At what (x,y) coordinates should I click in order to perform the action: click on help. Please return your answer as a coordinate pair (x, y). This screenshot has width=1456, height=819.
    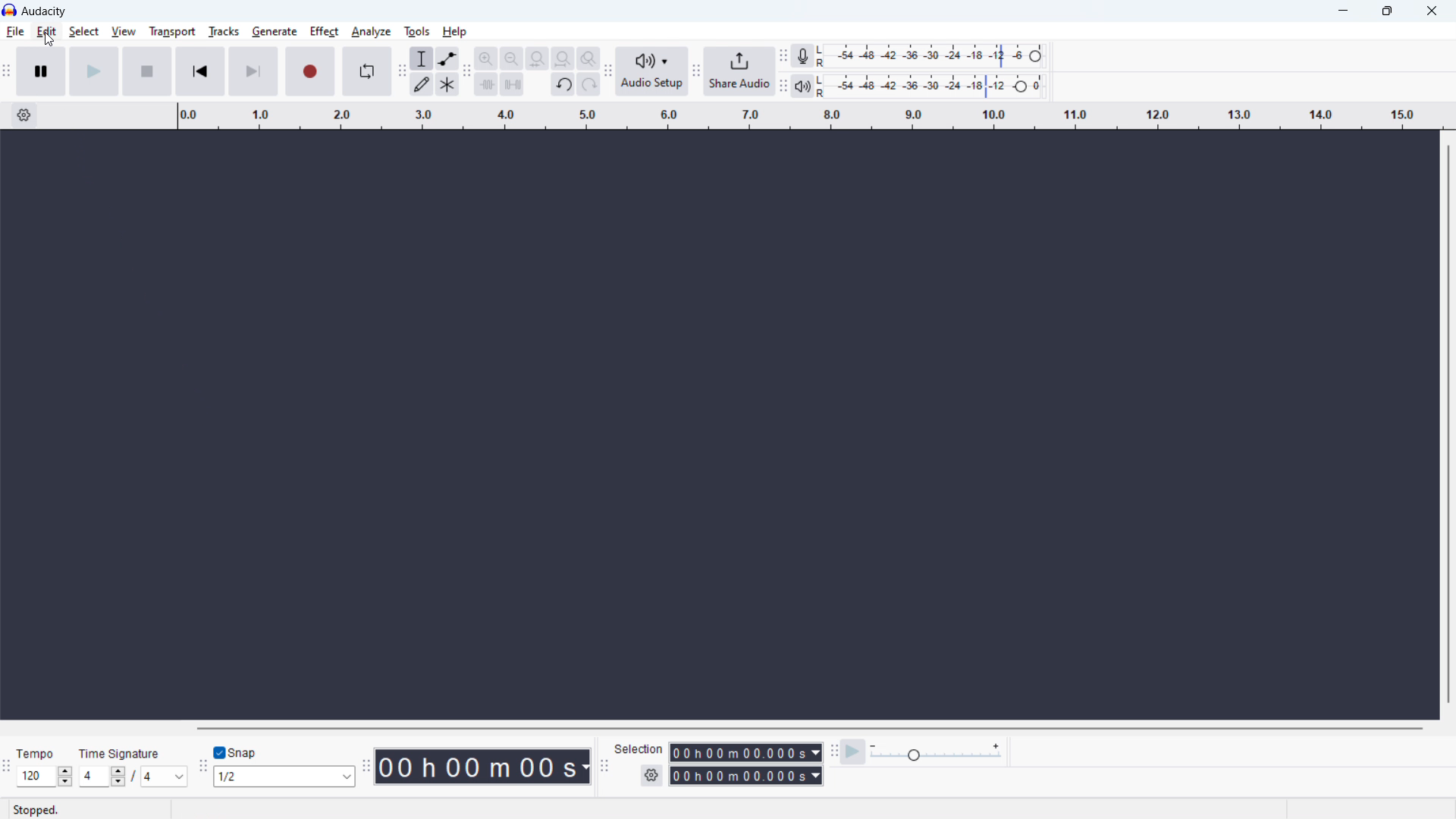
    Looking at the image, I should click on (455, 31).